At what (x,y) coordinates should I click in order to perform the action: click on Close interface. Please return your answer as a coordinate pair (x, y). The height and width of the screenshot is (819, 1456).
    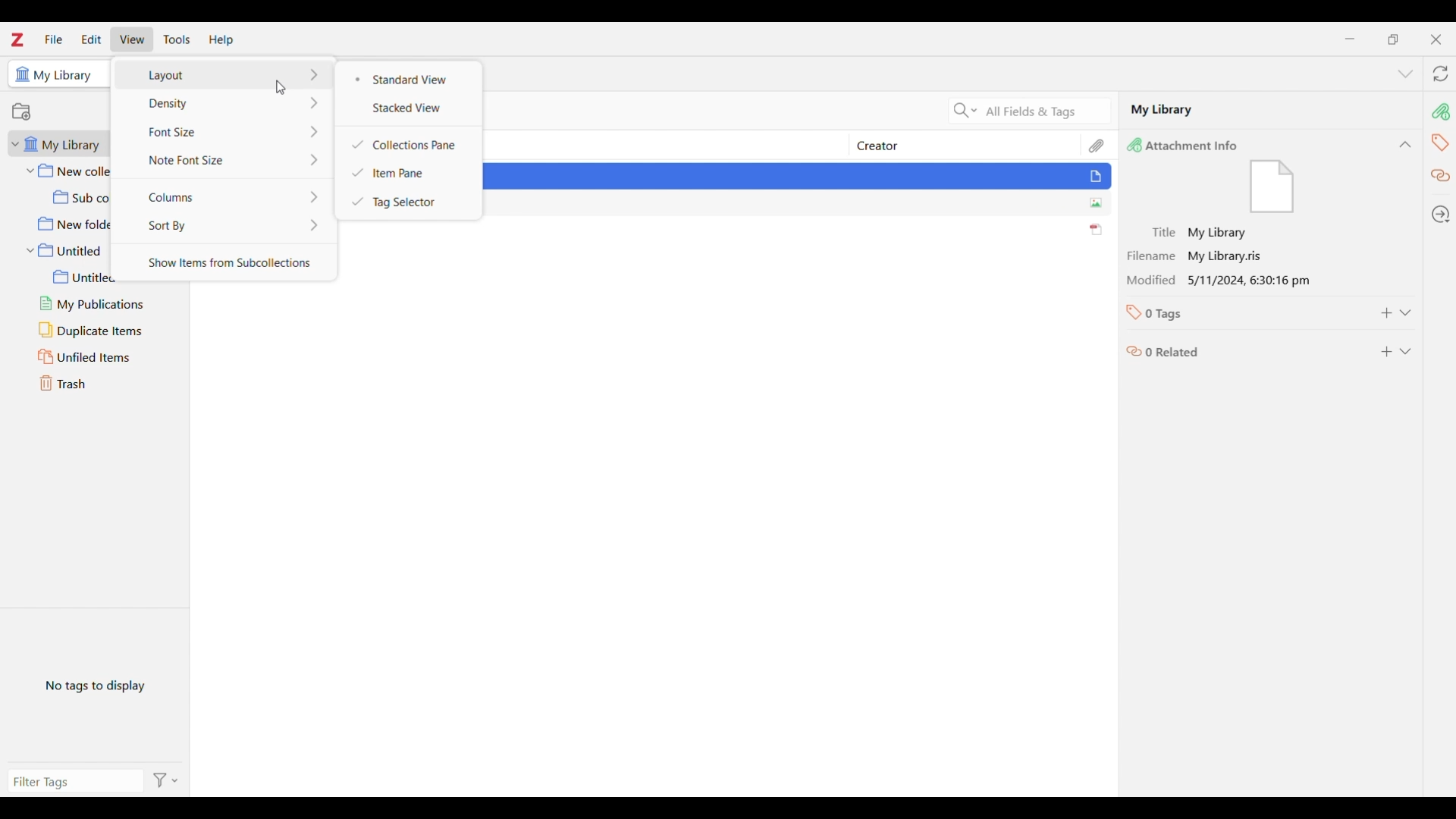
    Looking at the image, I should click on (1436, 39).